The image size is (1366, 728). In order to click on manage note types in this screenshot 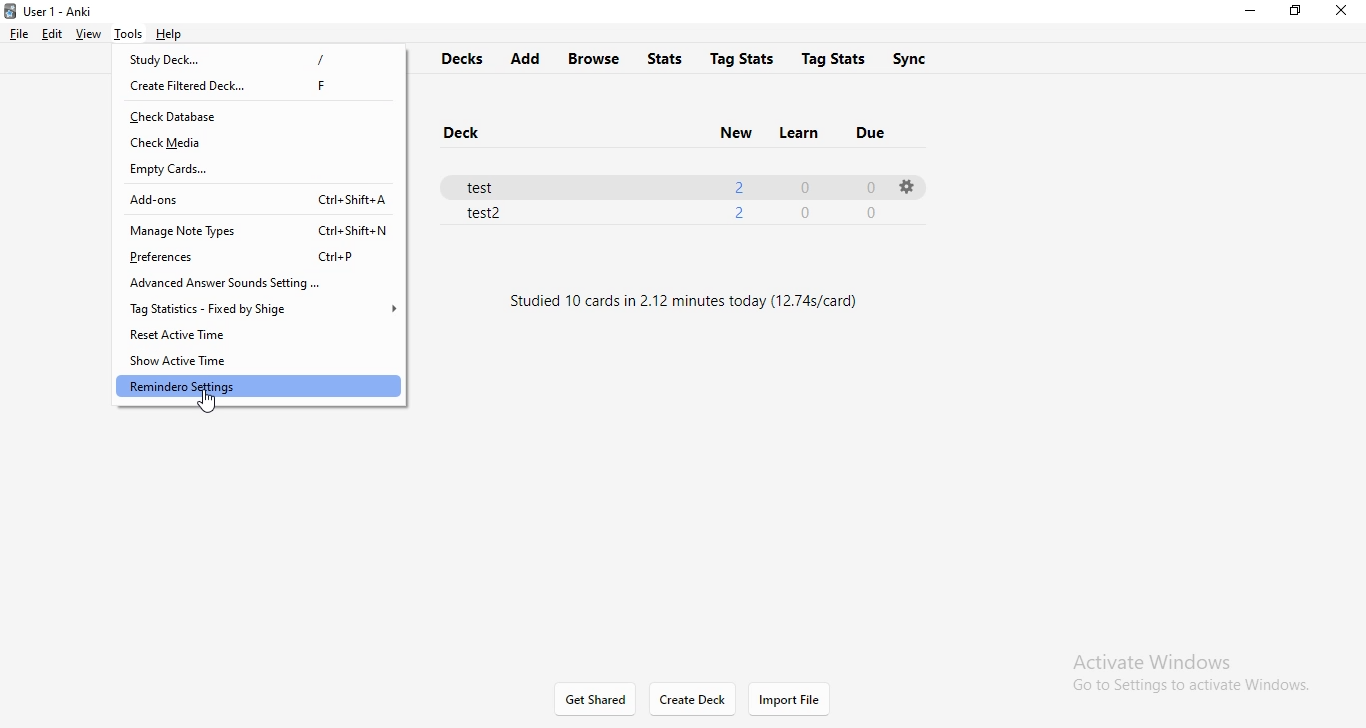, I will do `click(265, 231)`.